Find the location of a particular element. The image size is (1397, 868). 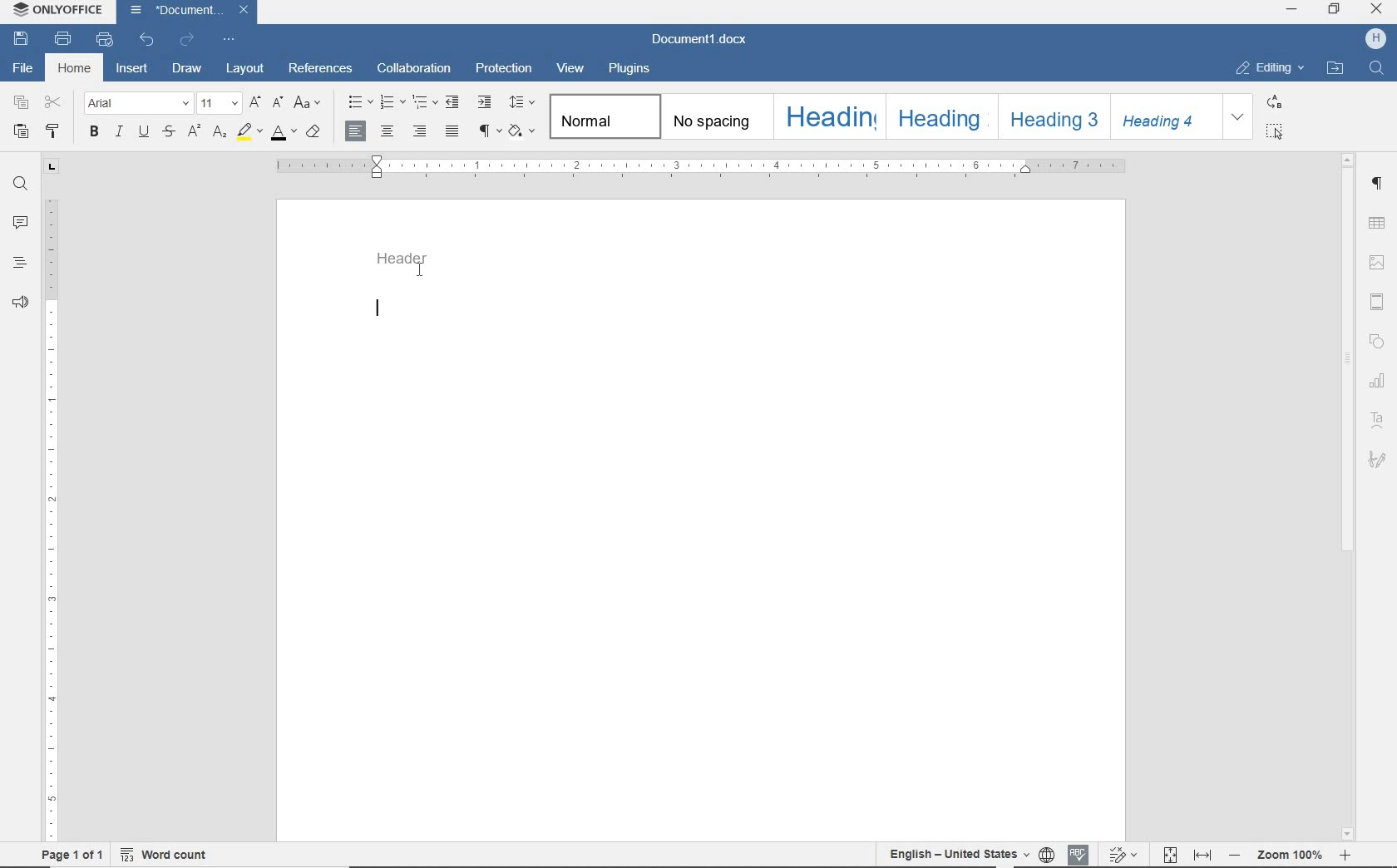

nonprinting characters is located at coordinates (489, 131).